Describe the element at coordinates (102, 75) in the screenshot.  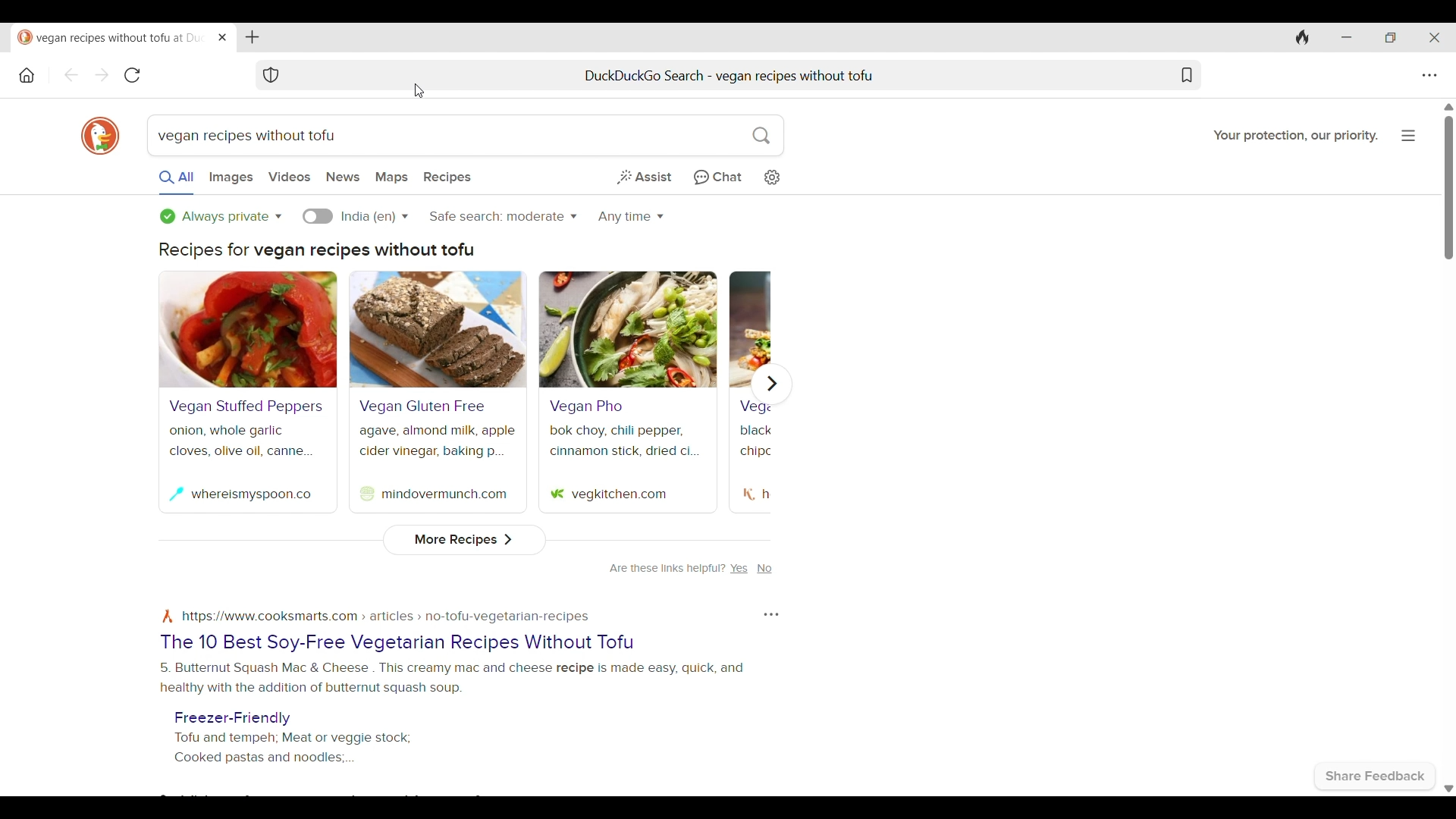
I see `Go forward` at that location.